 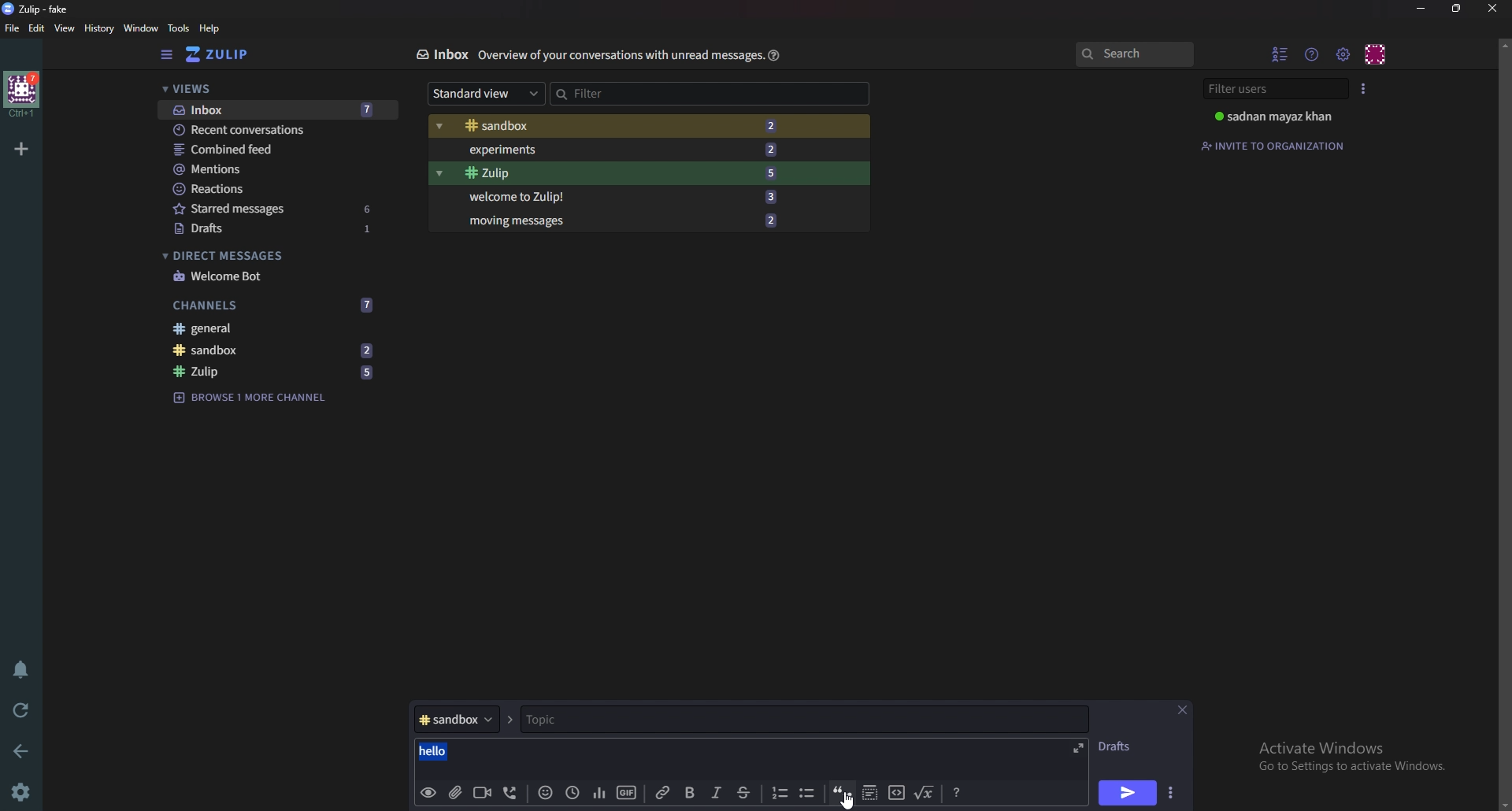 What do you see at coordinates (1489, 9) in the screenshot?
I see `Close` at bounding box center [1489, 9].